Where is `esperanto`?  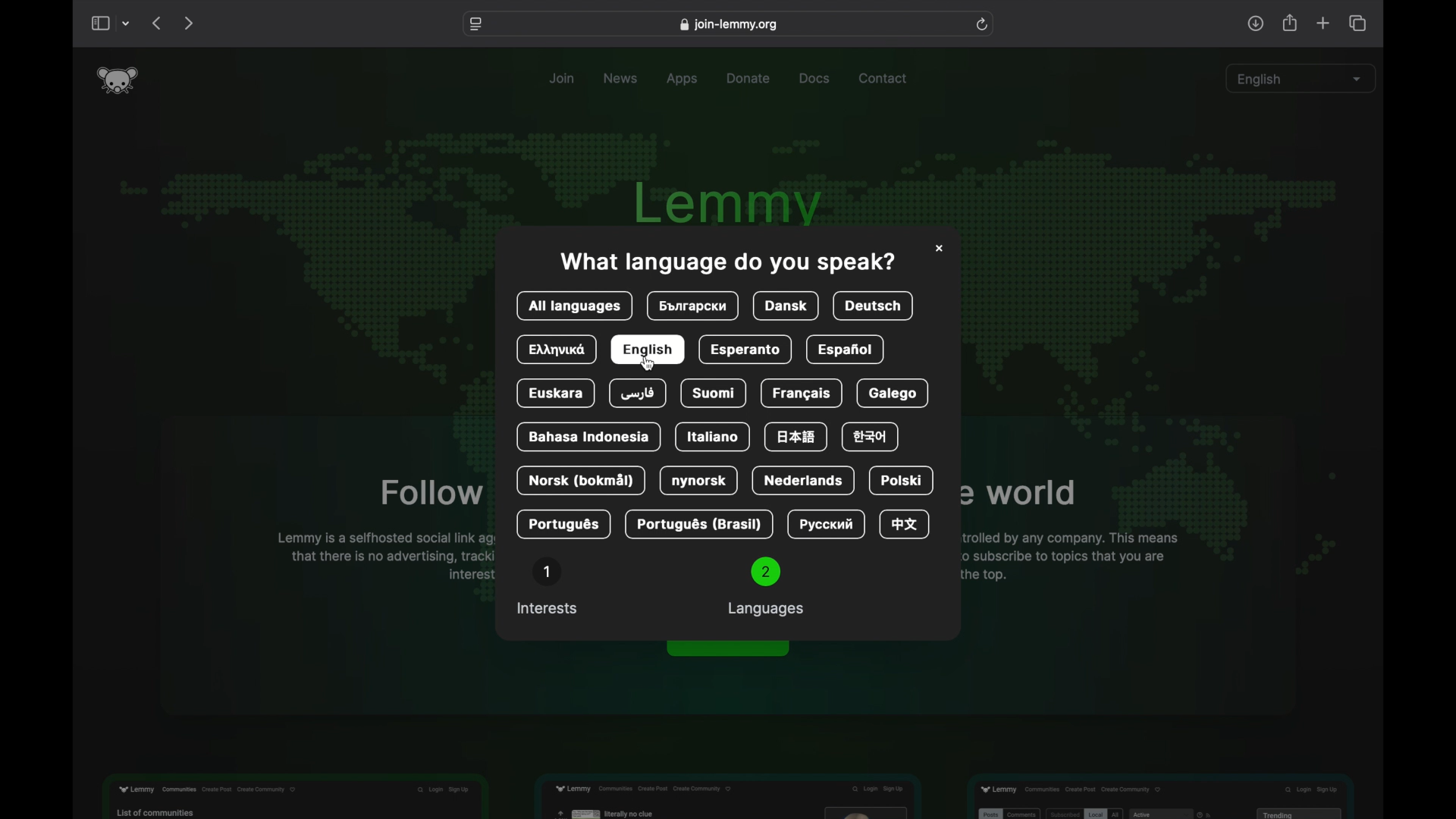
esperanto is located at coordinates (746, 351).